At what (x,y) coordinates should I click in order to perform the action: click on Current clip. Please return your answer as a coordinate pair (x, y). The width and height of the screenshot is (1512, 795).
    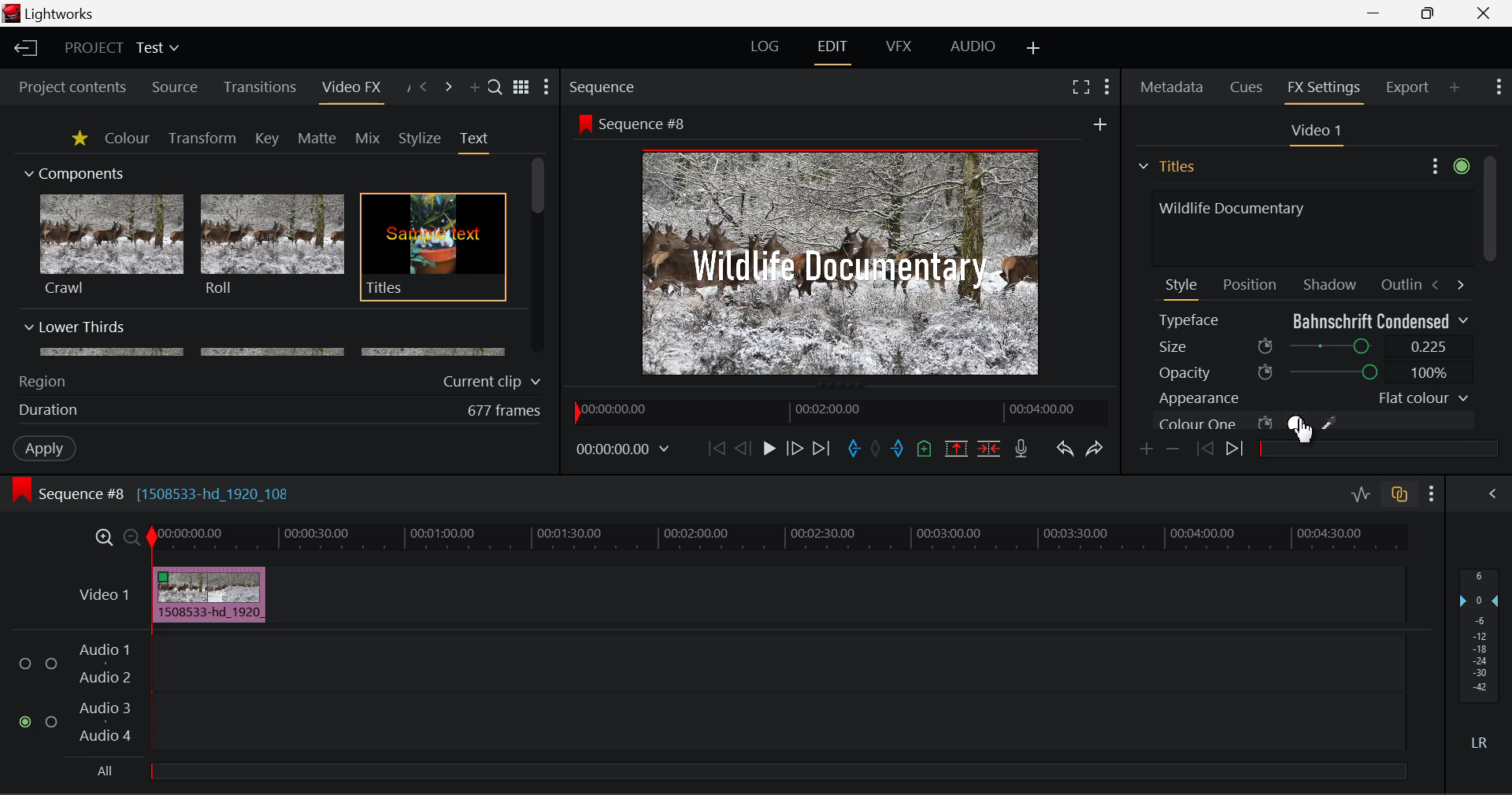
    Looking at the image, I should click on (495, 382).